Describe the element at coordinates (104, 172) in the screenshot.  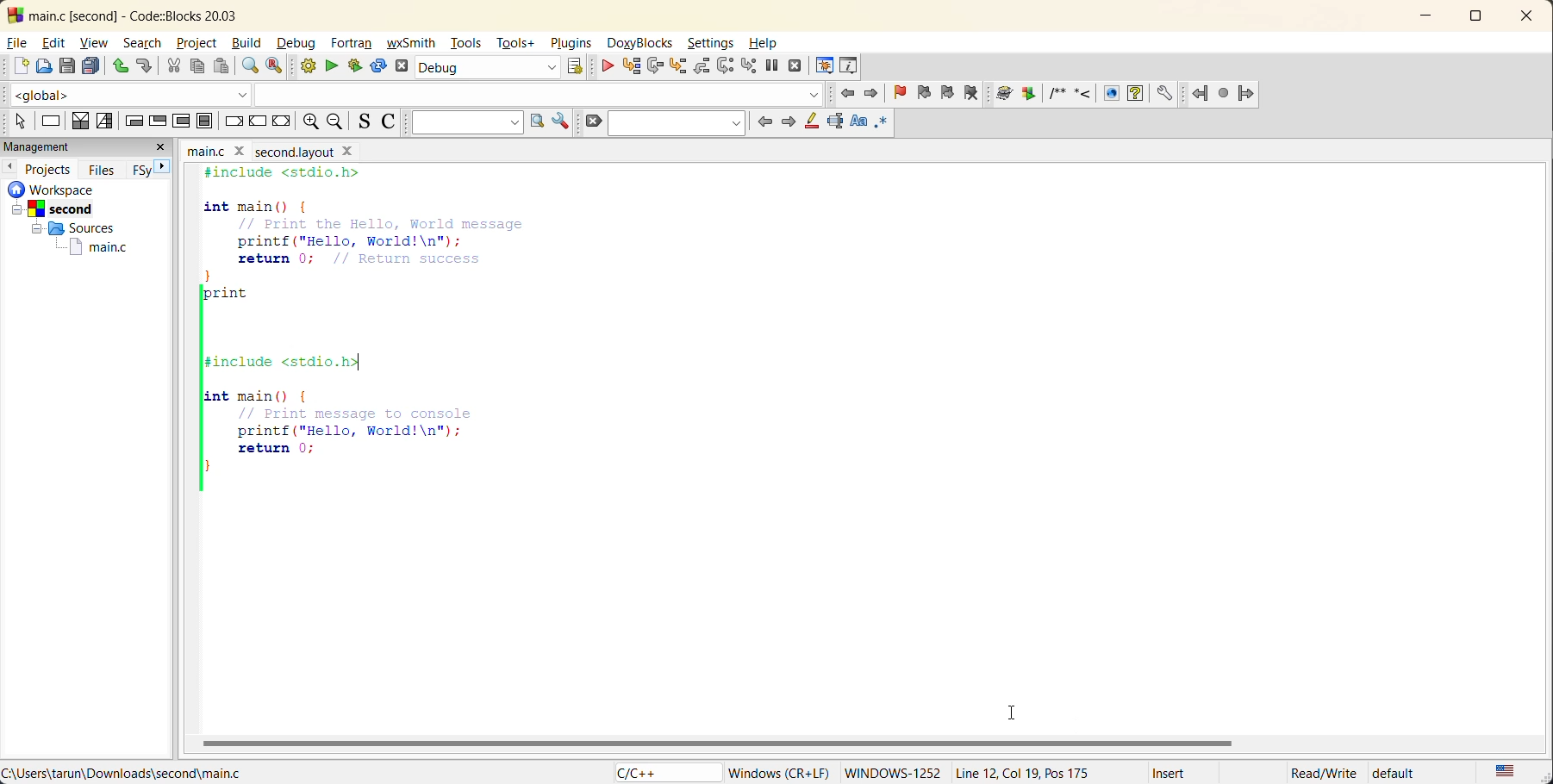
I see `files` at that location.